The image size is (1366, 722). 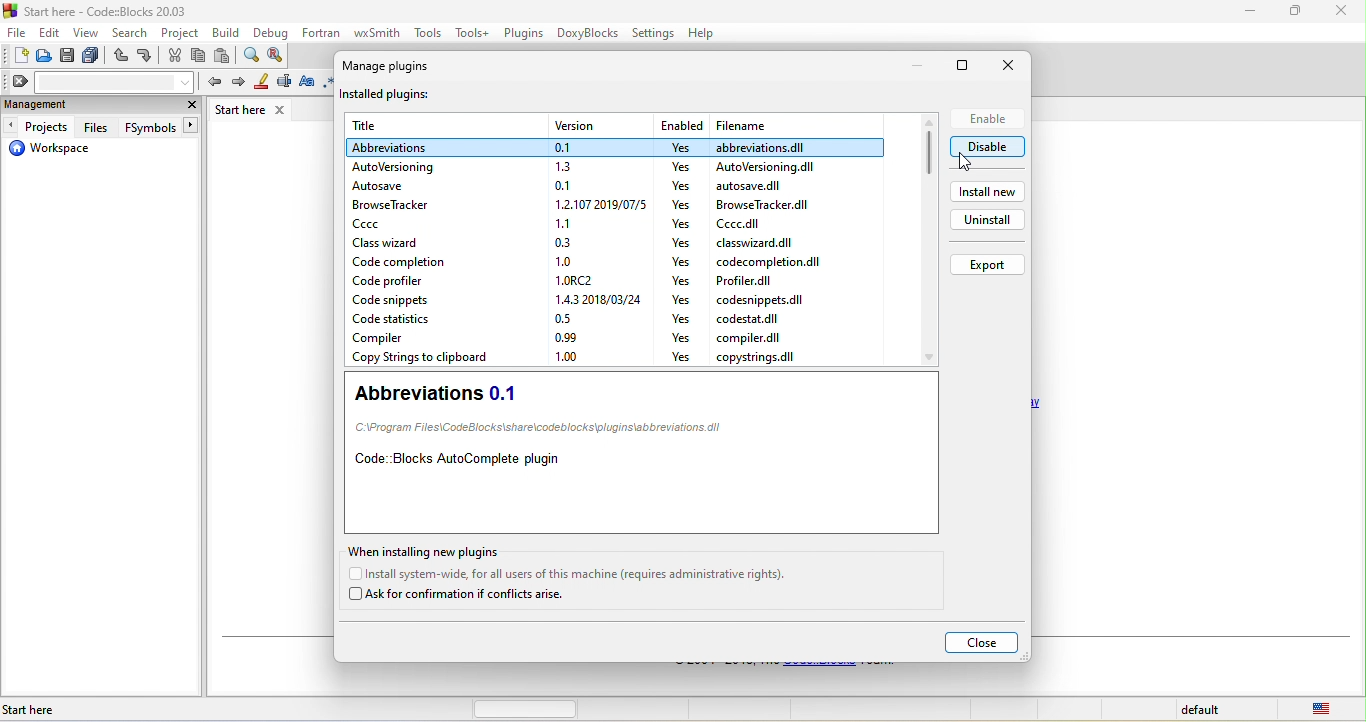 I want to click on search, so click(x=127, y=32).